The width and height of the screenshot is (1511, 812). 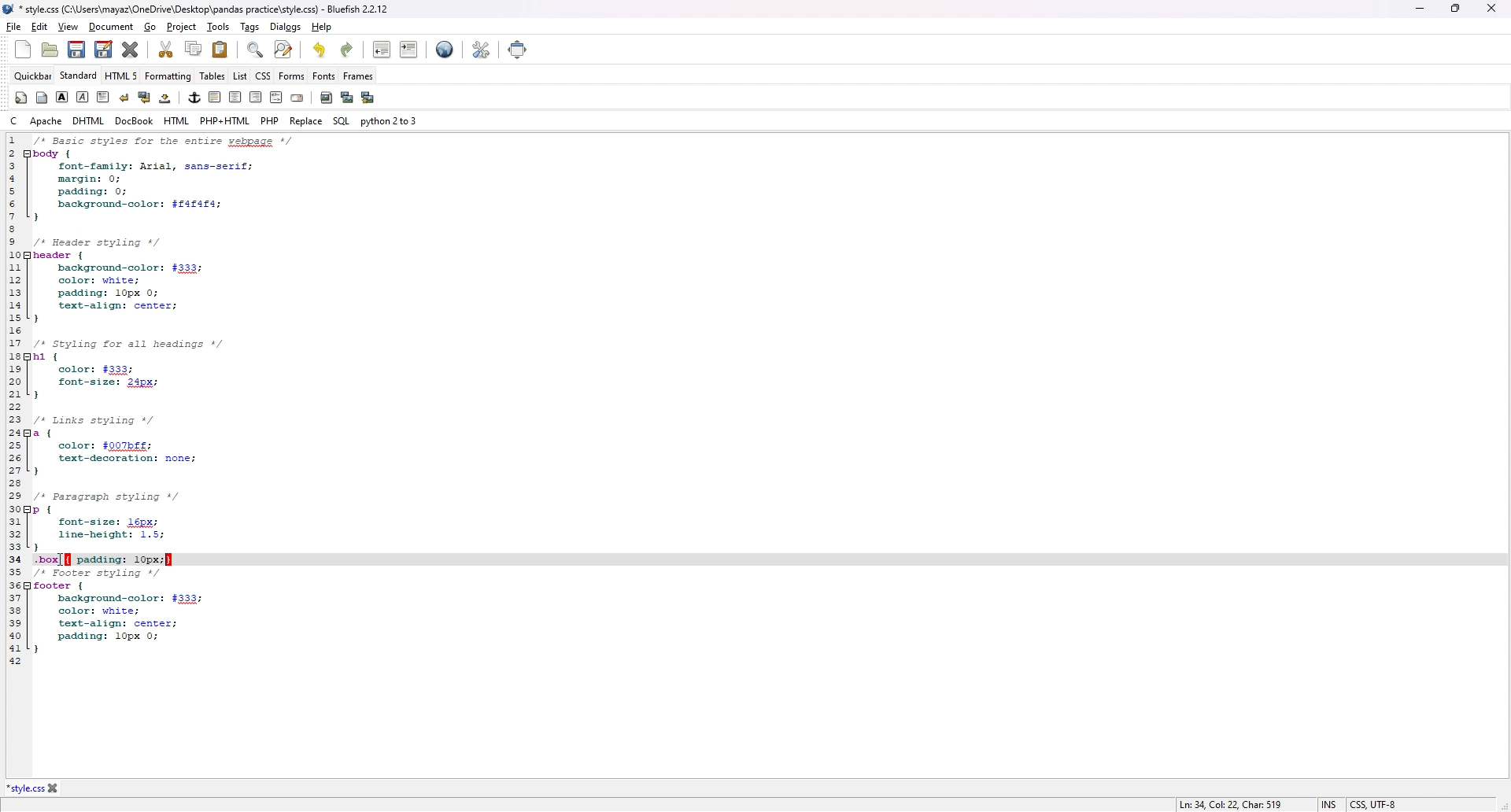 What do you see at coordinates (13, 122) in the screenshot?
I see `c` at bounding box center [13, 122].